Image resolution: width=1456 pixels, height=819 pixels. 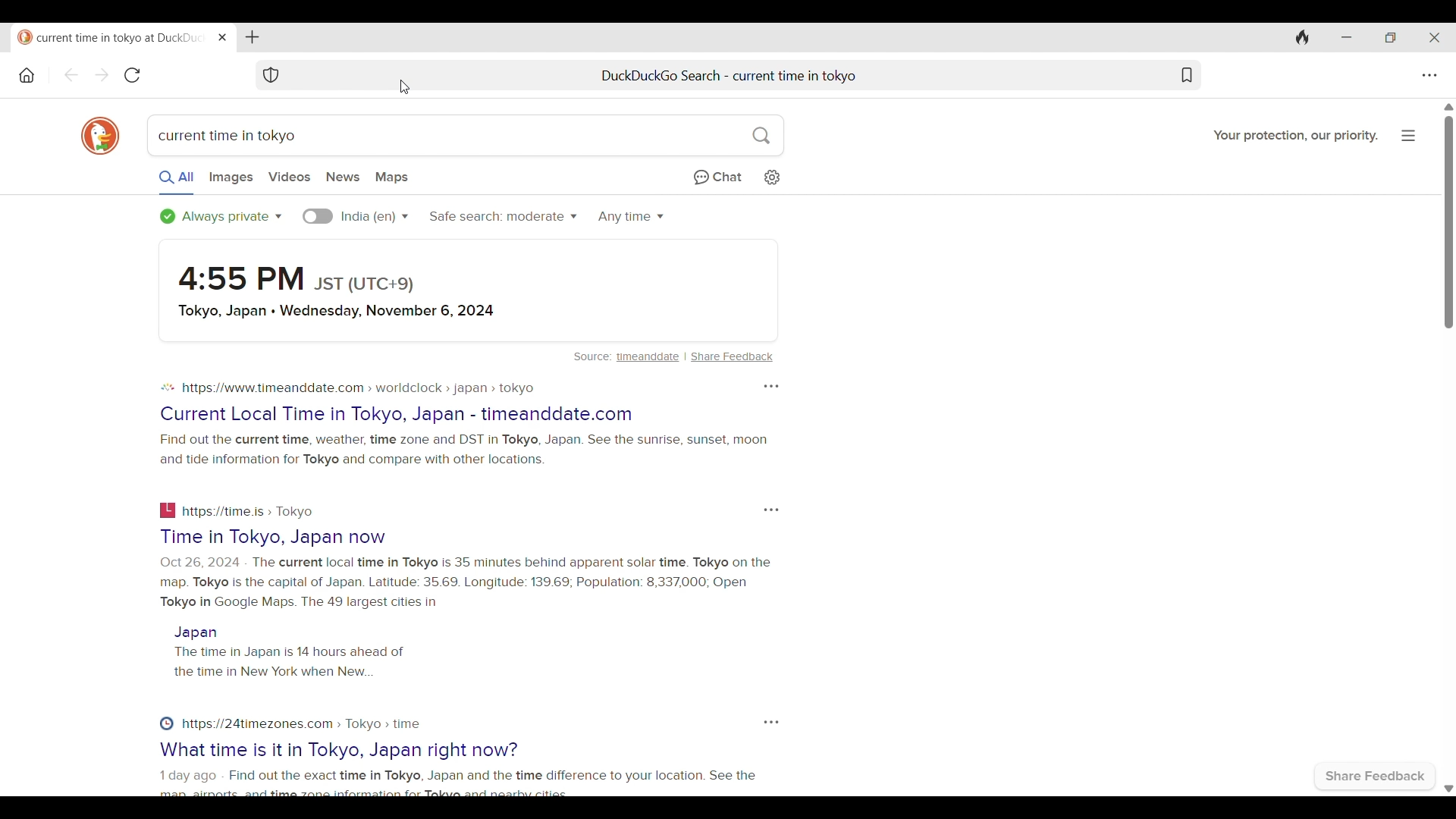 I want to click on Share feedback about result, so click(x=733, y=357).